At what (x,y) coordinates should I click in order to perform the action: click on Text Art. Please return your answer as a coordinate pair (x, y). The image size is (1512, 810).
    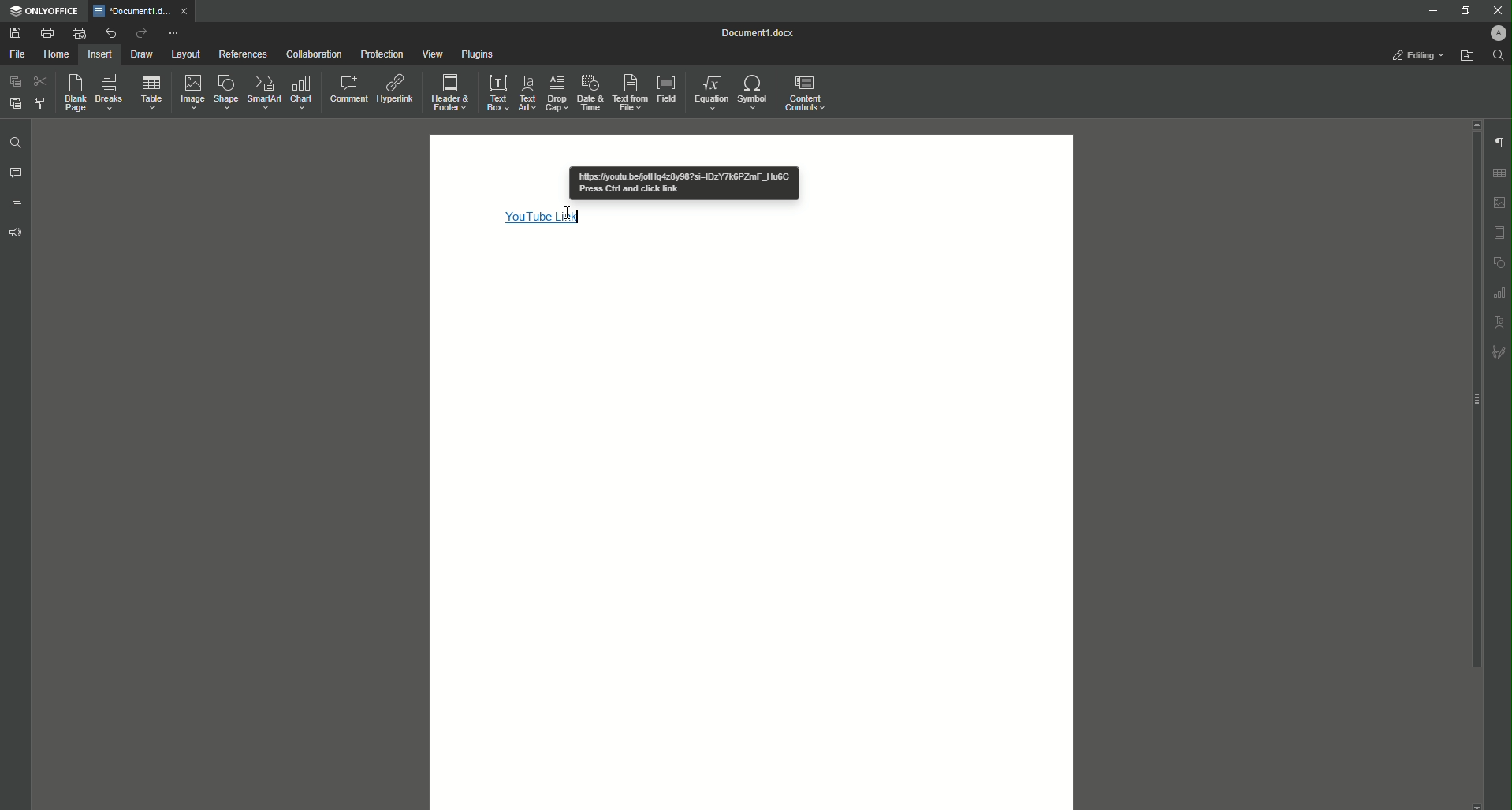
    Looking at the image, I should click on (528, 93).